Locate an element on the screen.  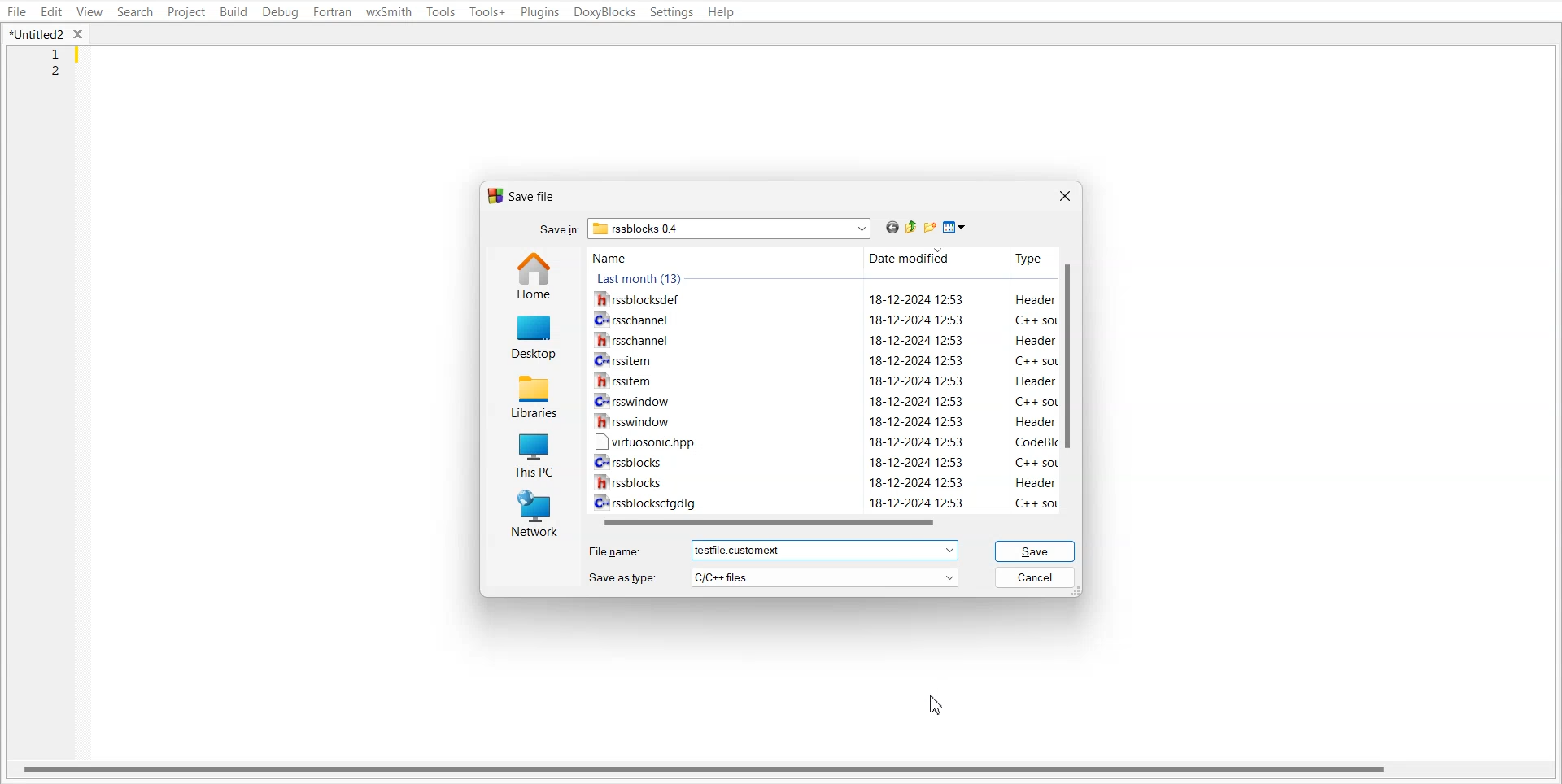
Up one level is located at coordinates (912, 227).